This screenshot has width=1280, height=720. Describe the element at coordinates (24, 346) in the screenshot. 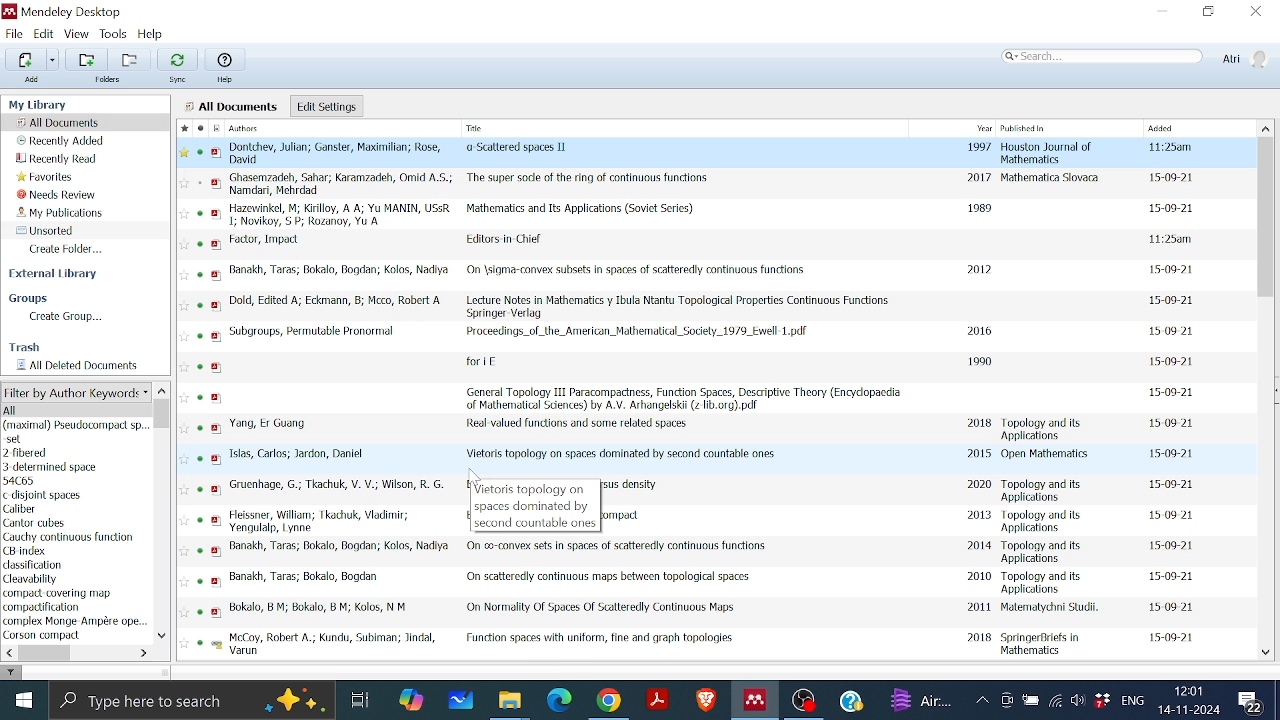

I see `Trash` at that location.